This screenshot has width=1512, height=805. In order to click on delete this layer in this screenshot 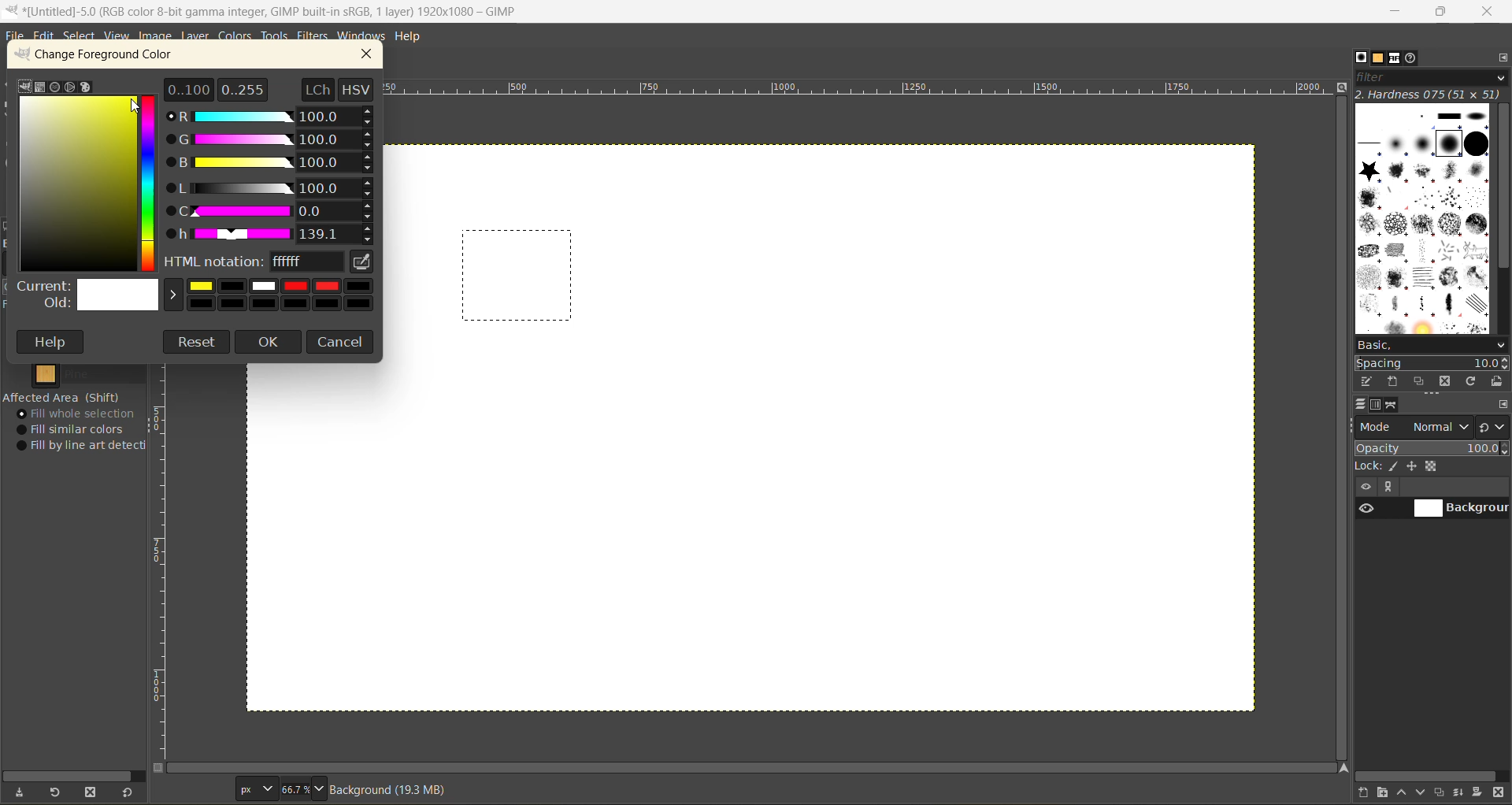, I will do `click(1499, 794)`.